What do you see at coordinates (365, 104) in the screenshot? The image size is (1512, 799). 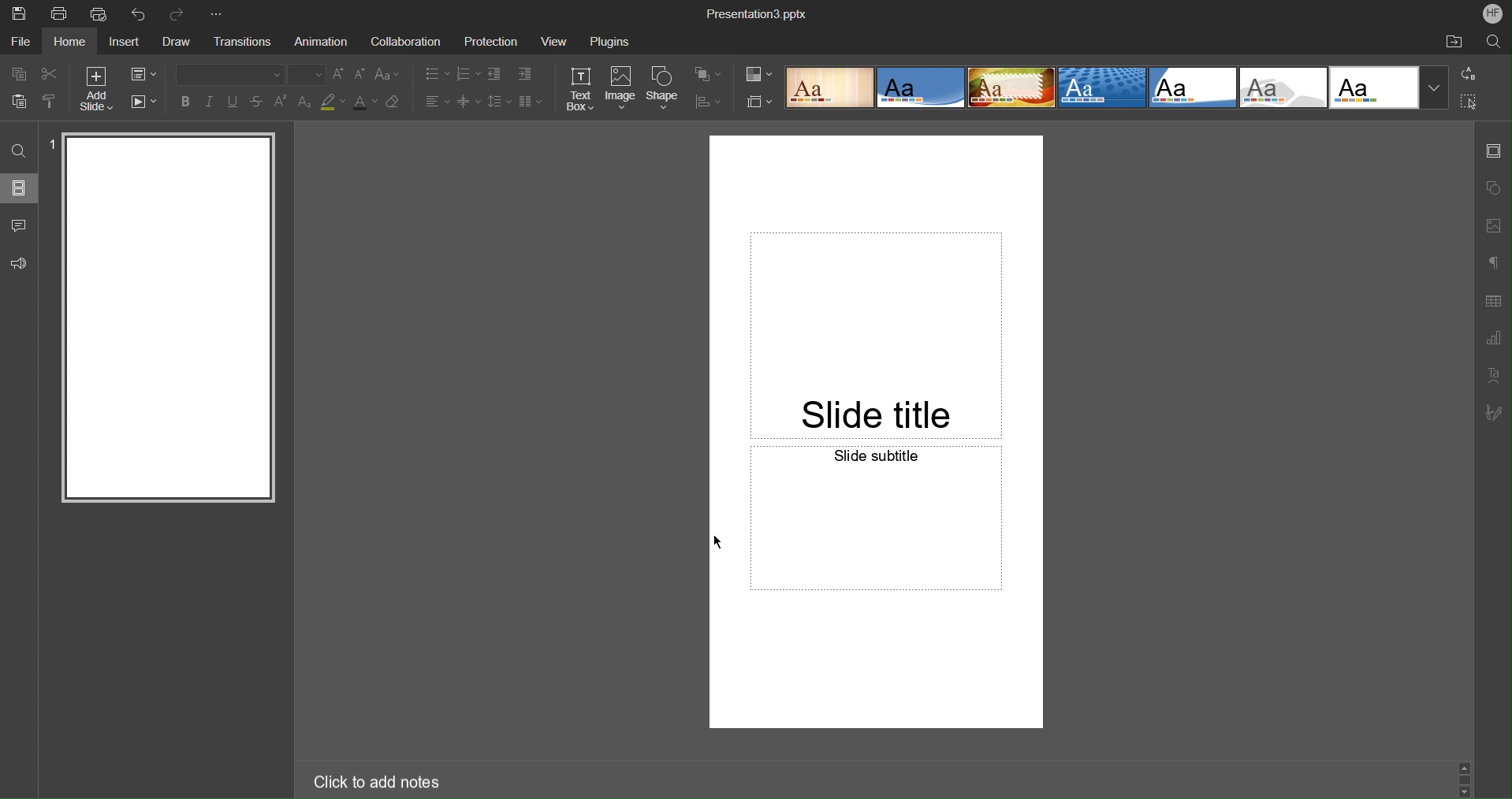 I see `Text Color` at bounding box center [365, 104].